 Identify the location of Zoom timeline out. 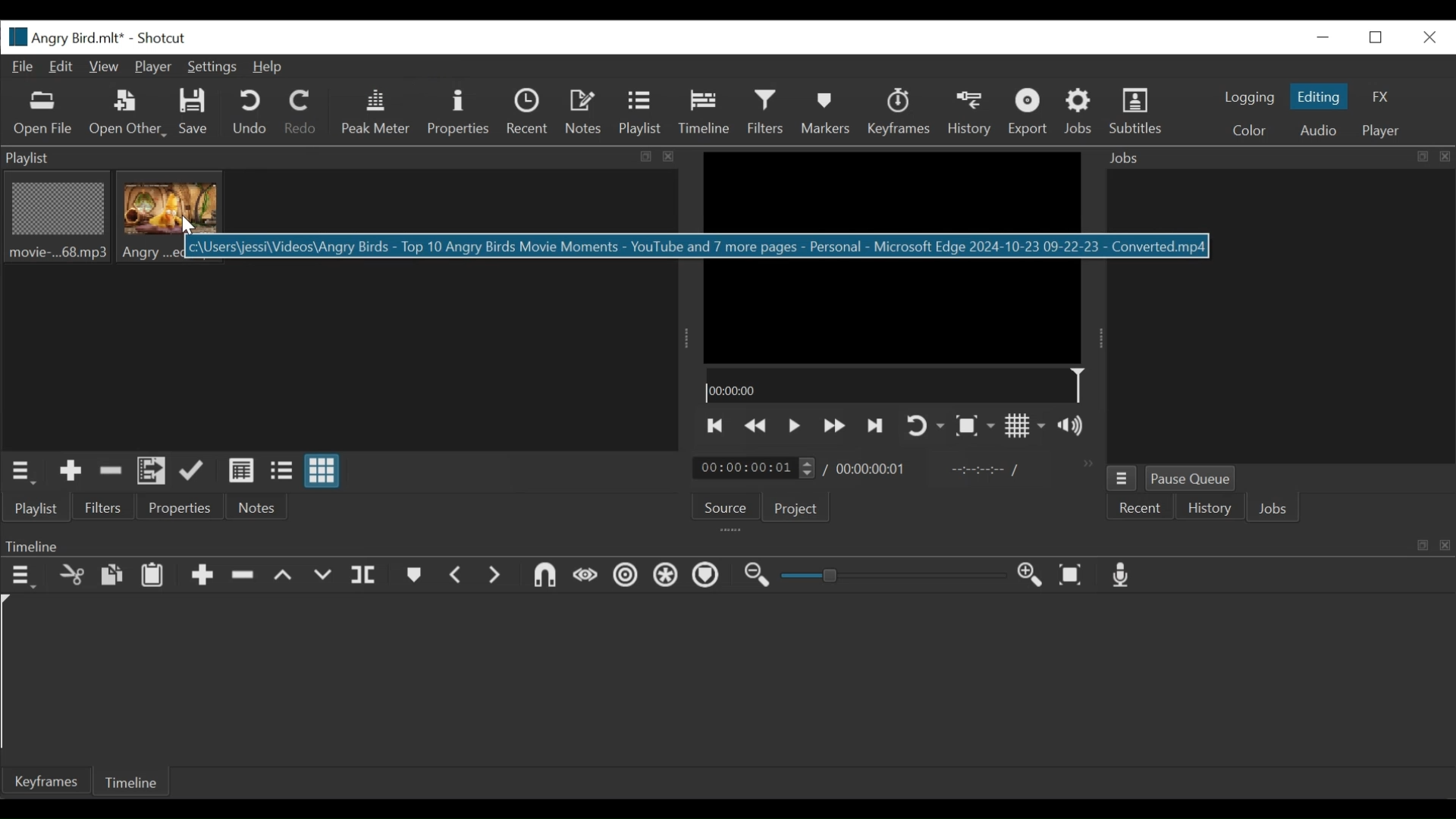
(756, 576).